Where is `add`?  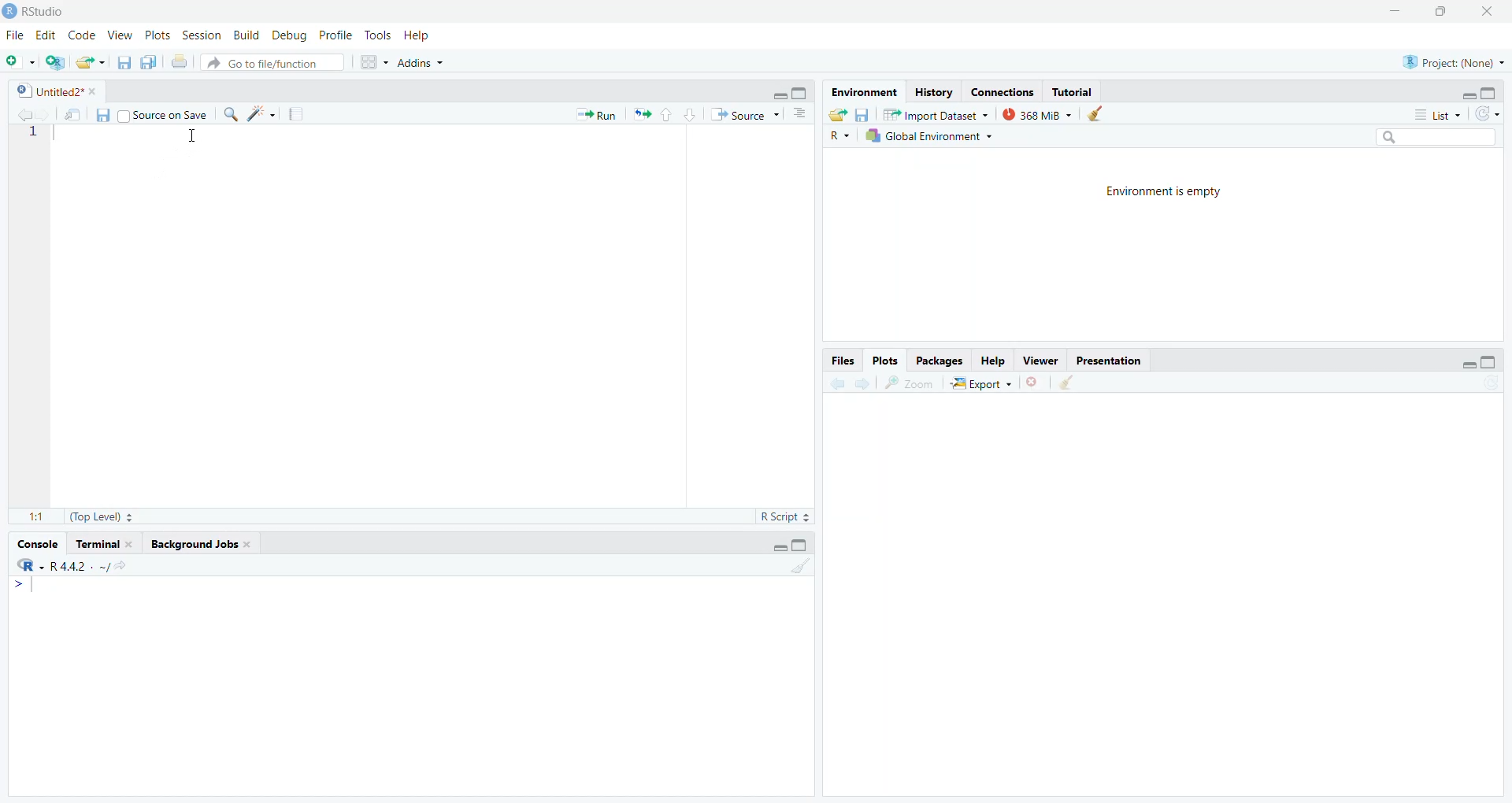 add is located at coordinates (20, 62).